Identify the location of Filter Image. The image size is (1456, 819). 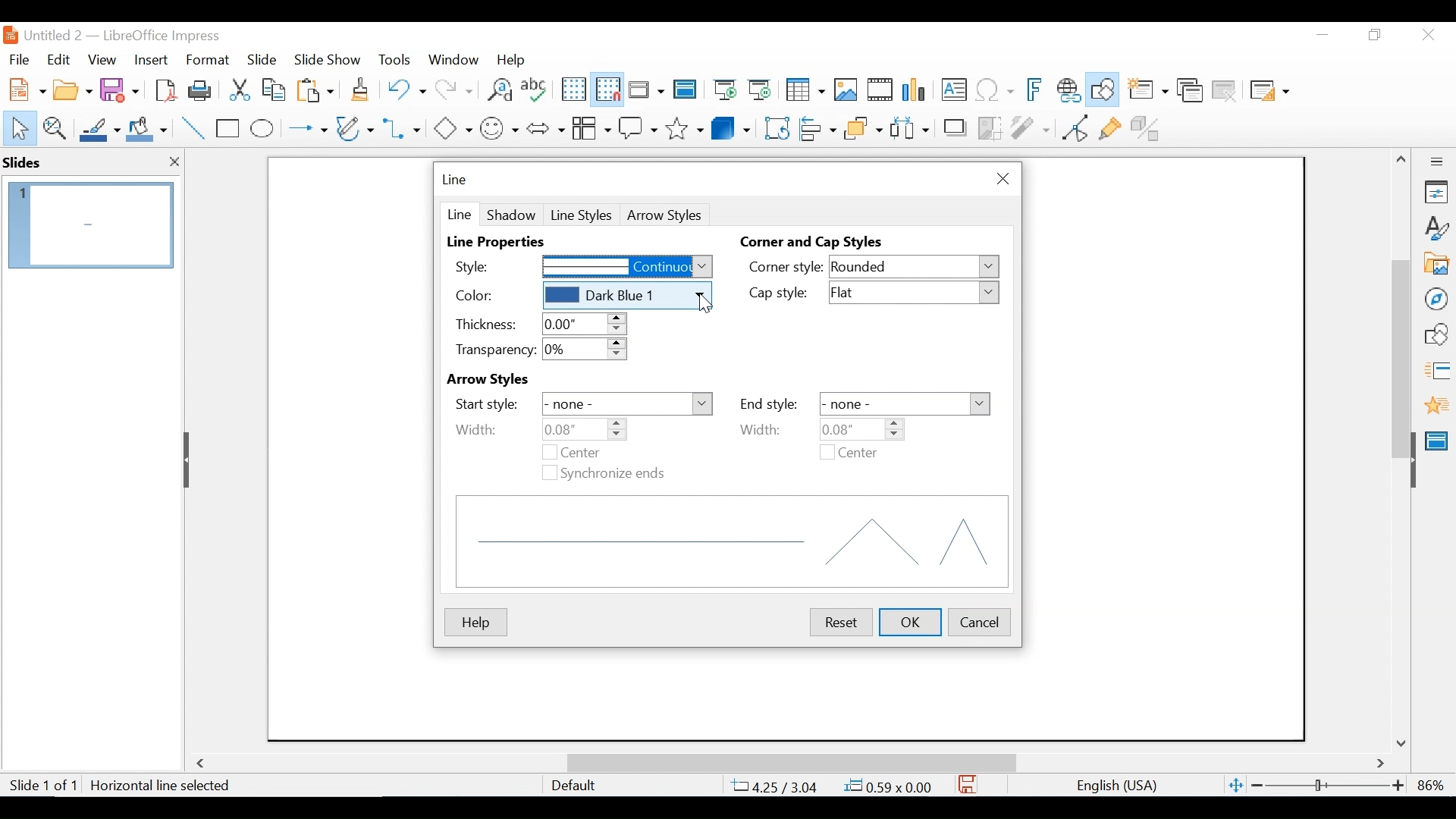
(1030, 127).